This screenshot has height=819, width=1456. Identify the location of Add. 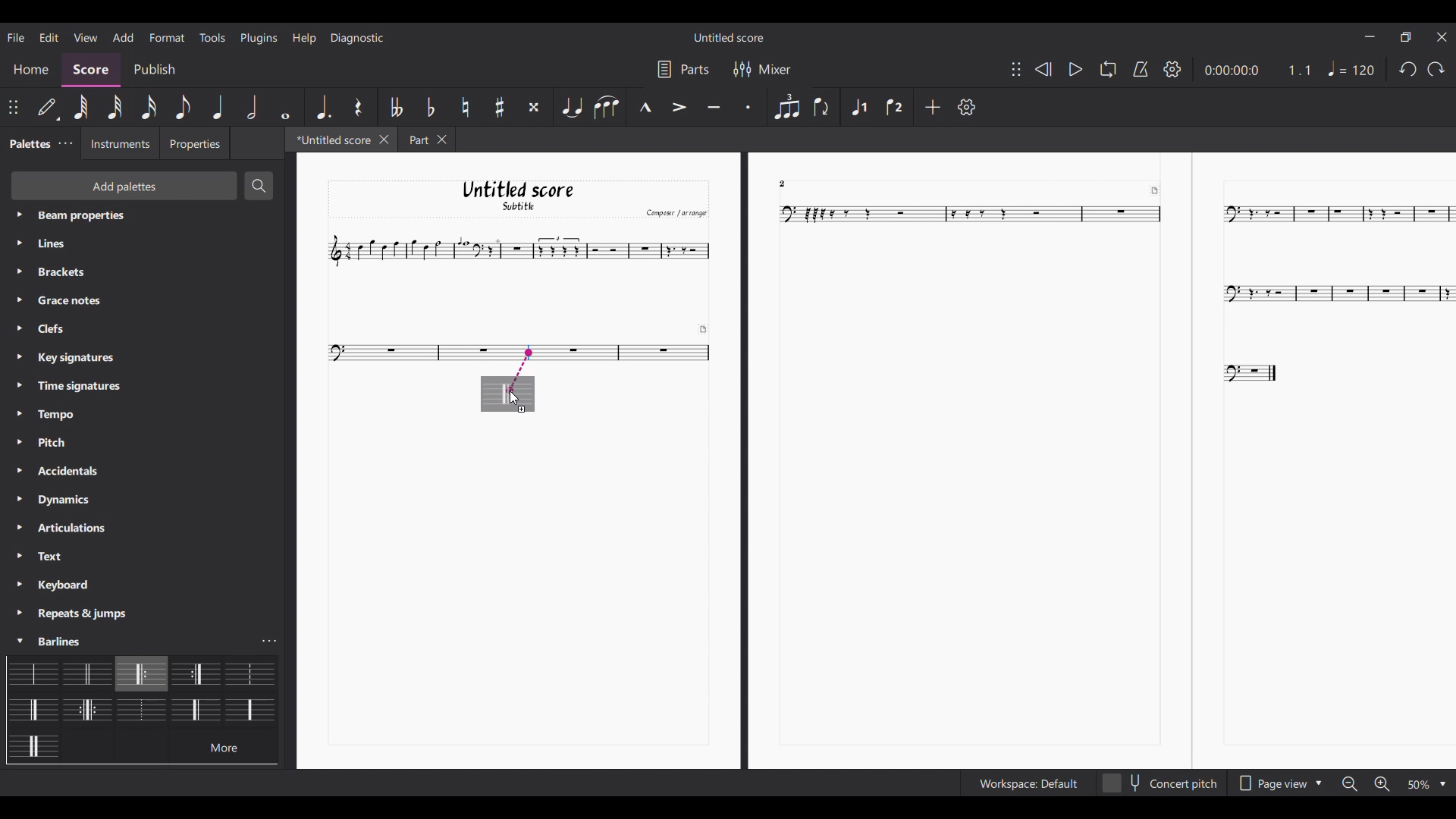
(933, 107).